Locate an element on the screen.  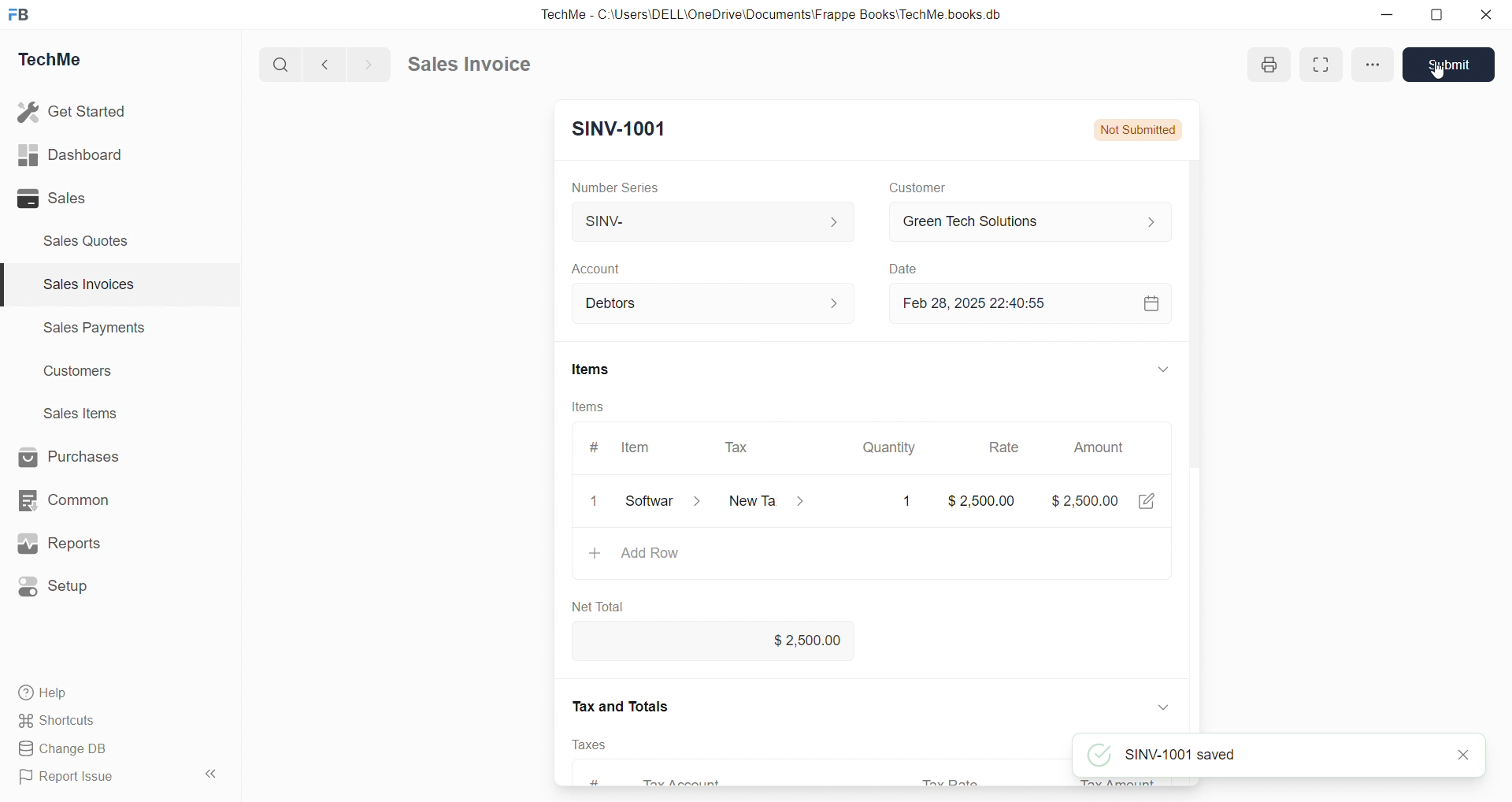
Feb 28, 2025 22:40:55 is located at coordinates (982, 303).